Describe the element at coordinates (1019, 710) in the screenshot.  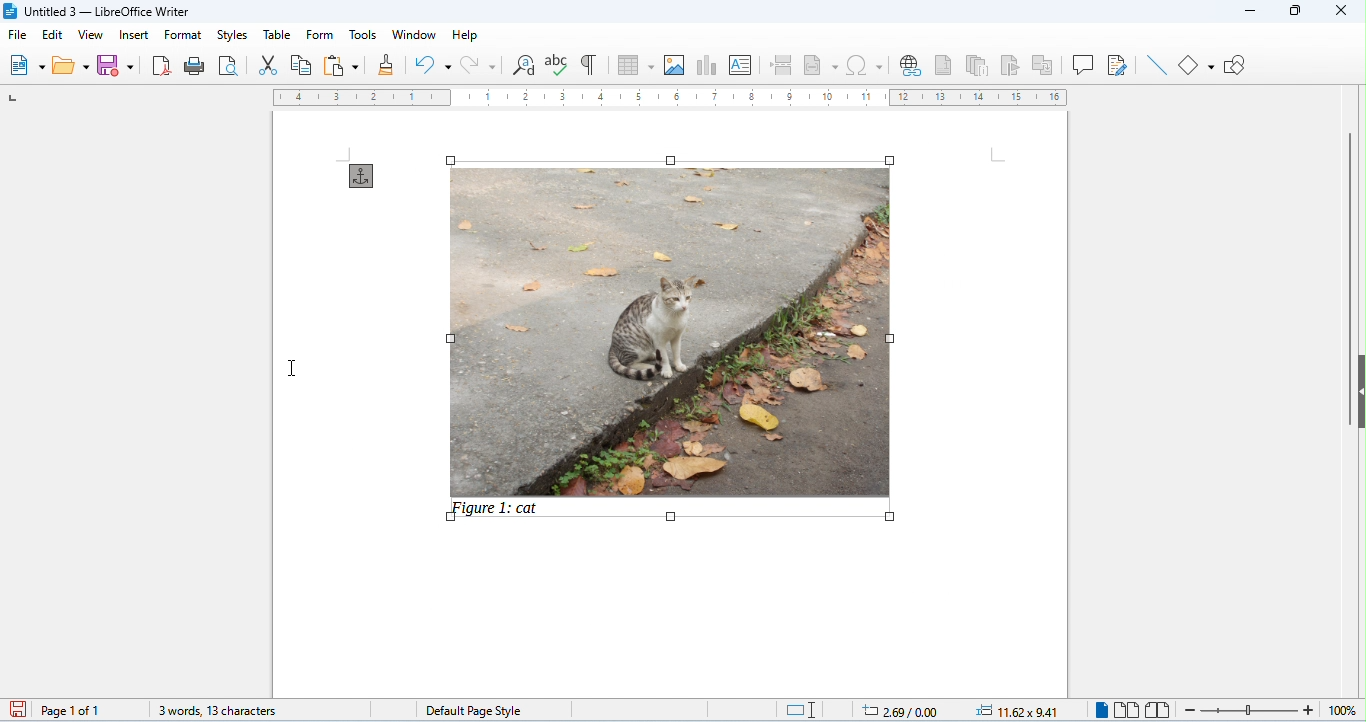
I see `object position` at that location.